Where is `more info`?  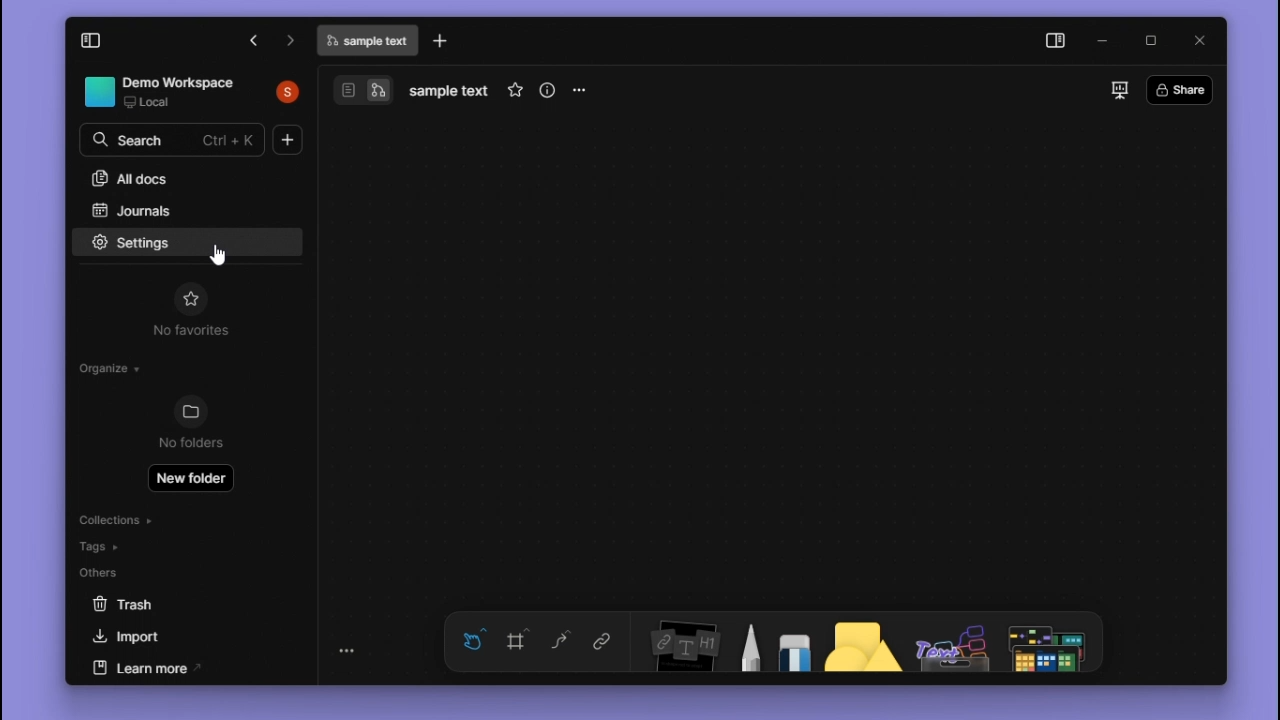
more info is located at coordinates (550, 92).